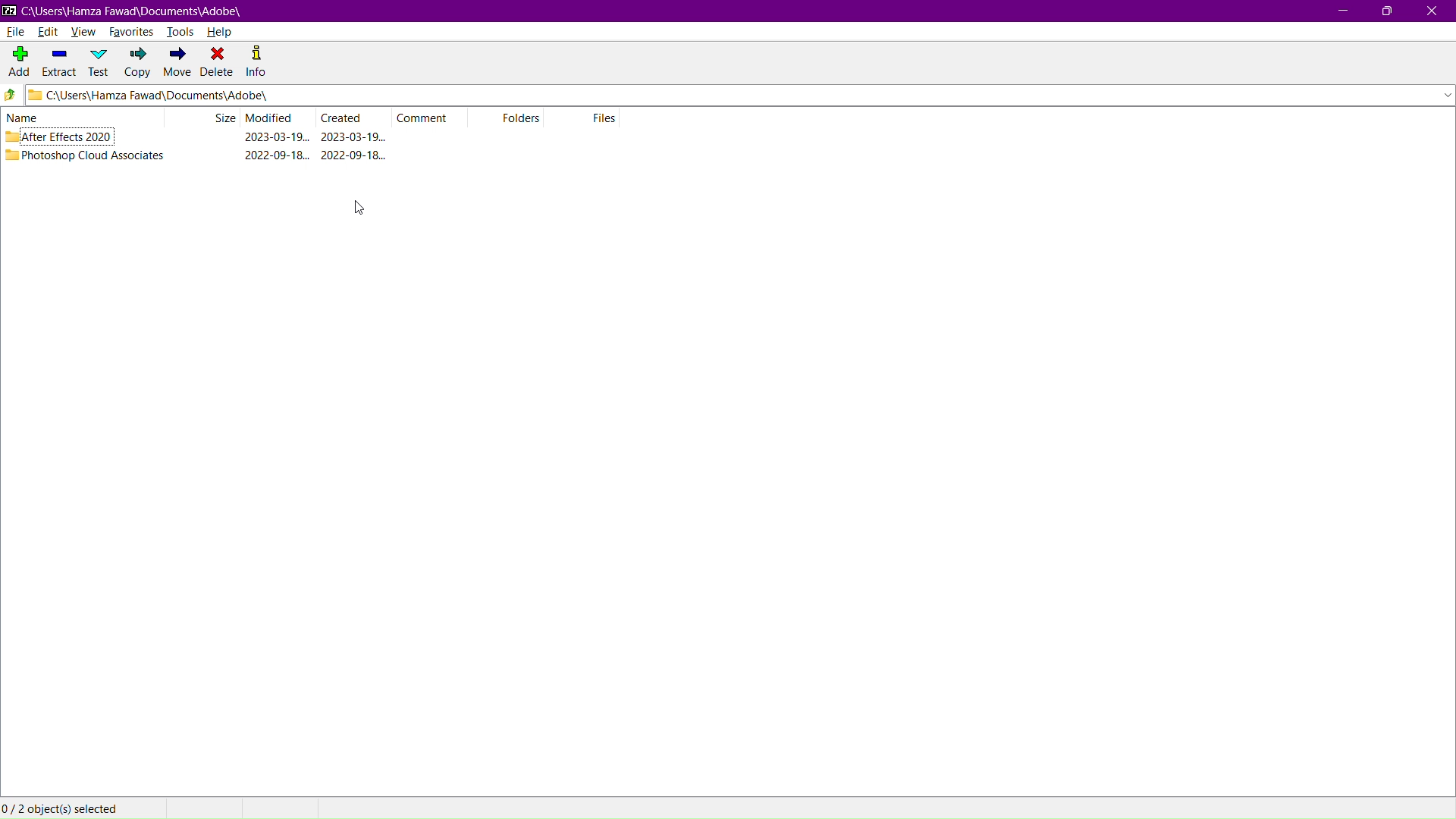 This screenshot has width=1456, height=819. Describe the element at coordinates (65, 808) in the screenshot. I see `Objects selected` at that location.